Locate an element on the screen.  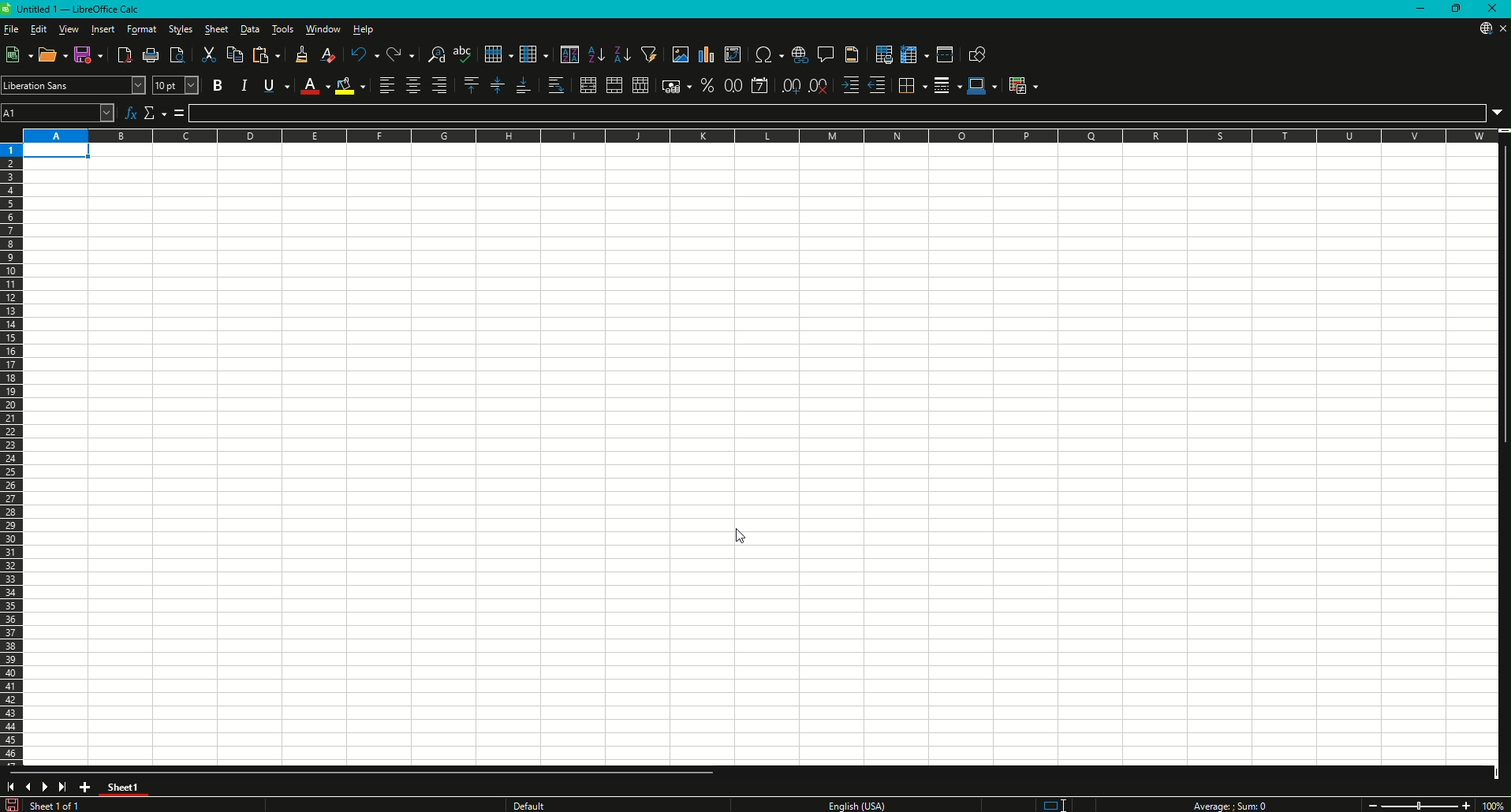
Text is located at coordinates (580, 804).